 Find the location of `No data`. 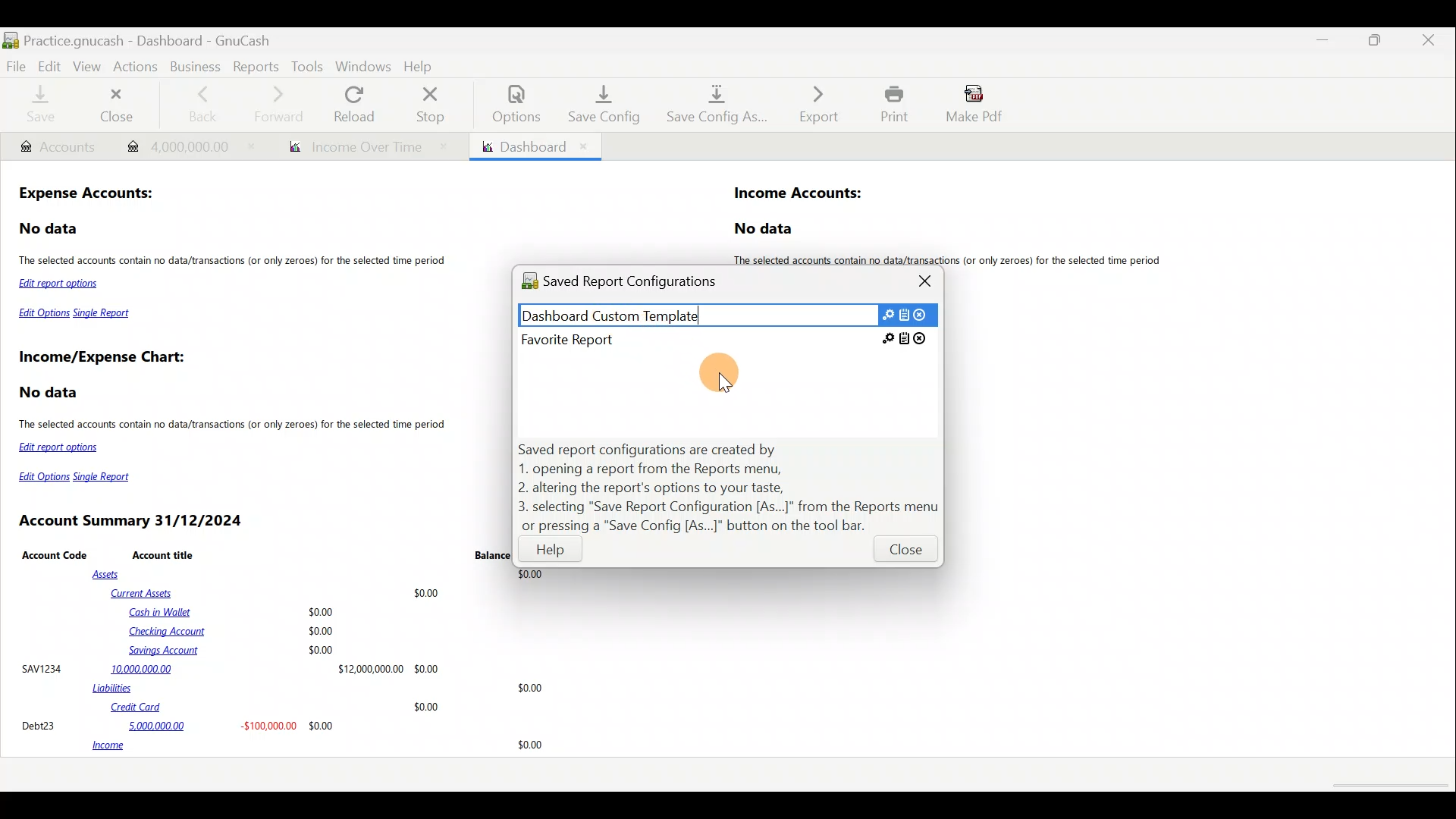

No data is located at coordinates (766, 229).